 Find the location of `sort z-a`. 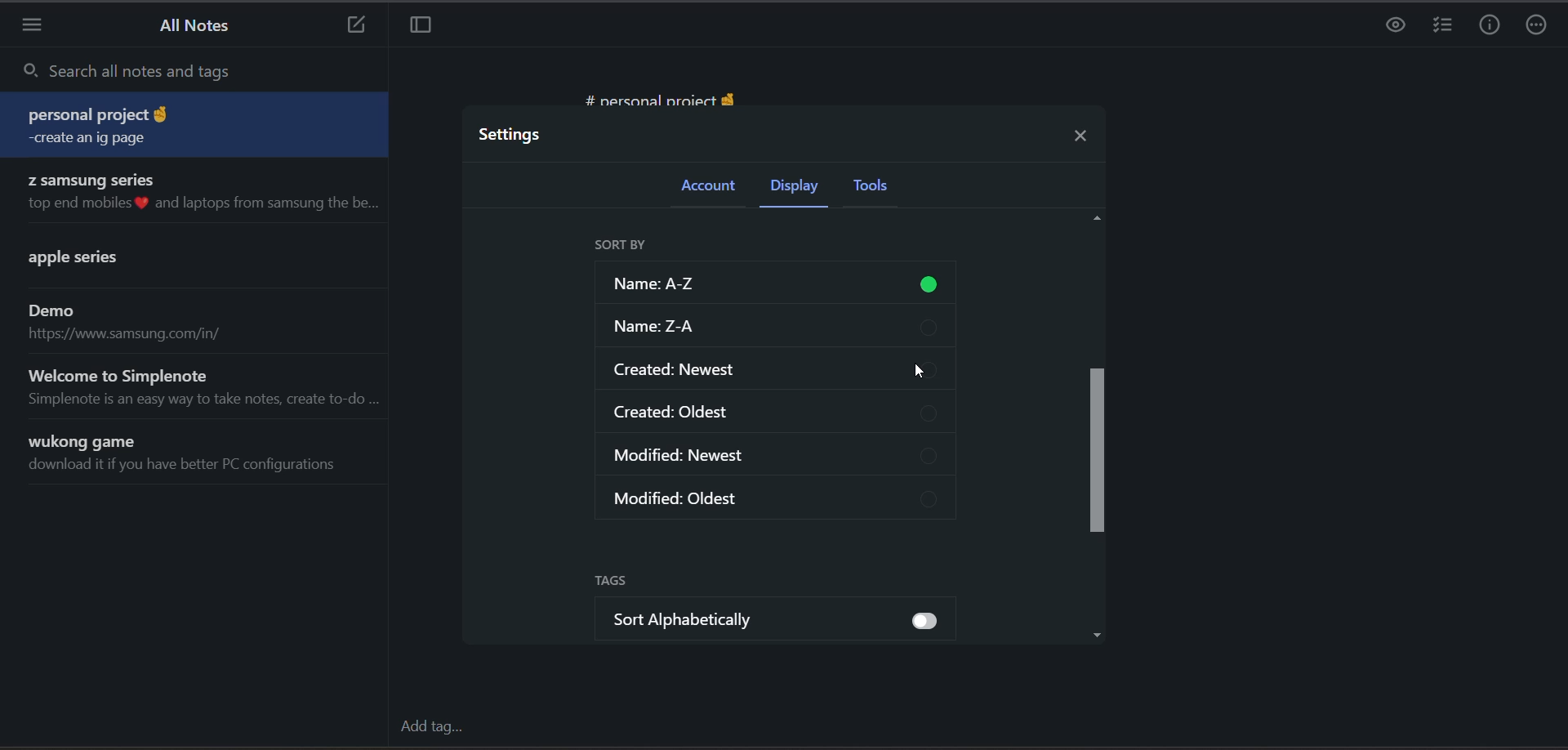

sort z-a is located at coordinates (782, 324).